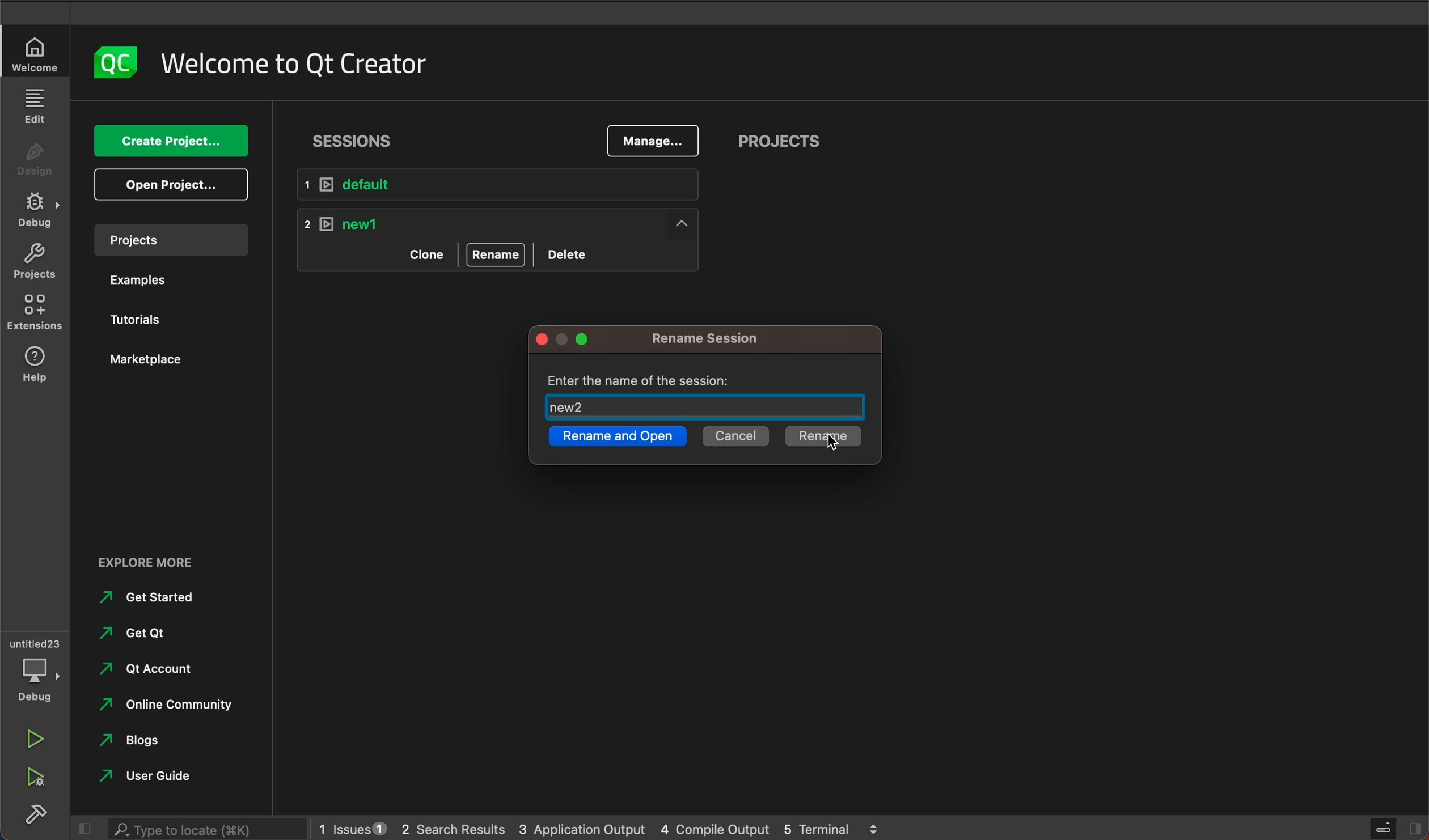 The image size is (1429, 840). What do you see at coordinates (36, 817) in the screenshot?
I see `` at bounding box center [36, 817].